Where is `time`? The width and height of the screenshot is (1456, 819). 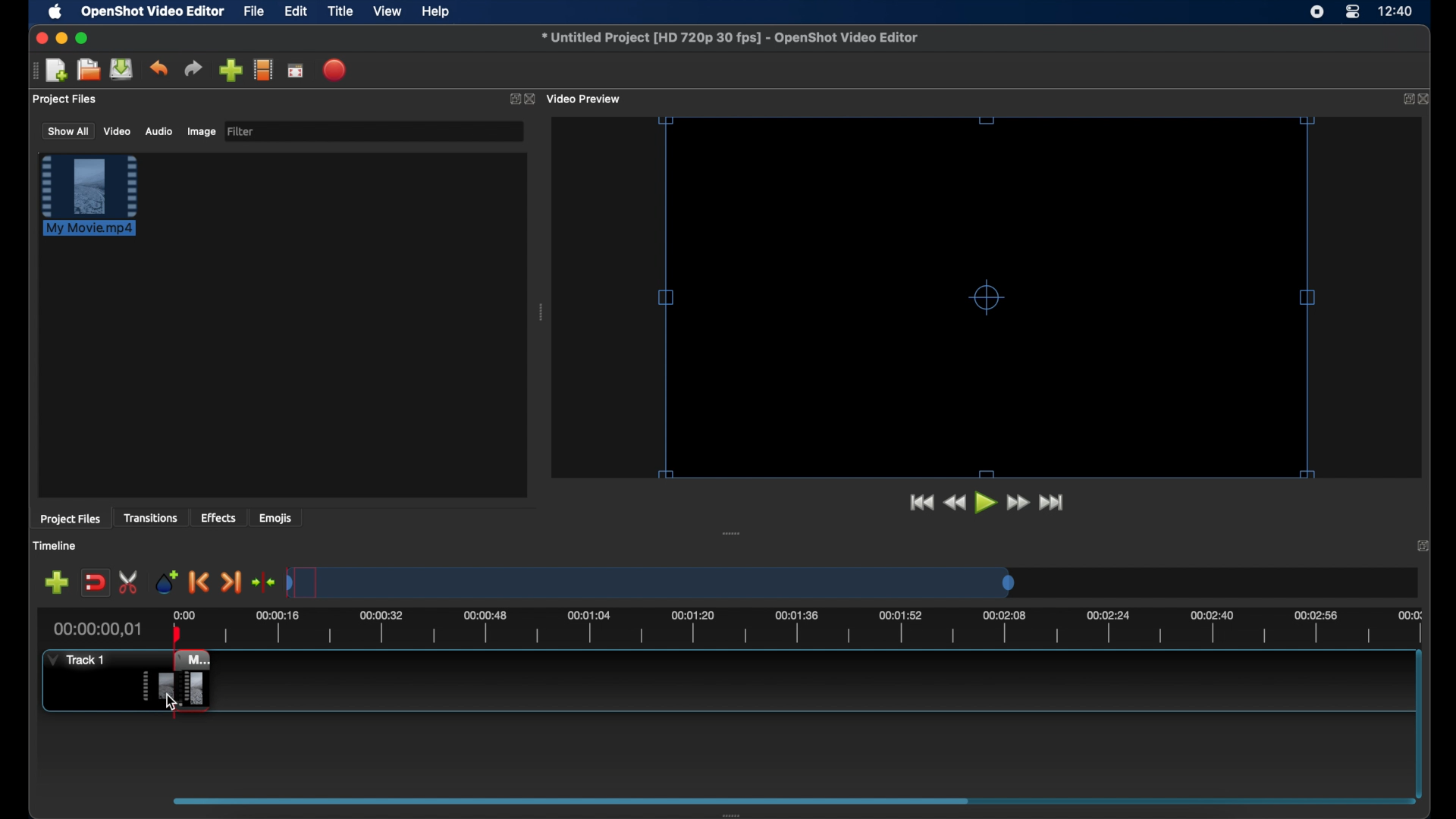
time is located at coordinates (1397, 12).